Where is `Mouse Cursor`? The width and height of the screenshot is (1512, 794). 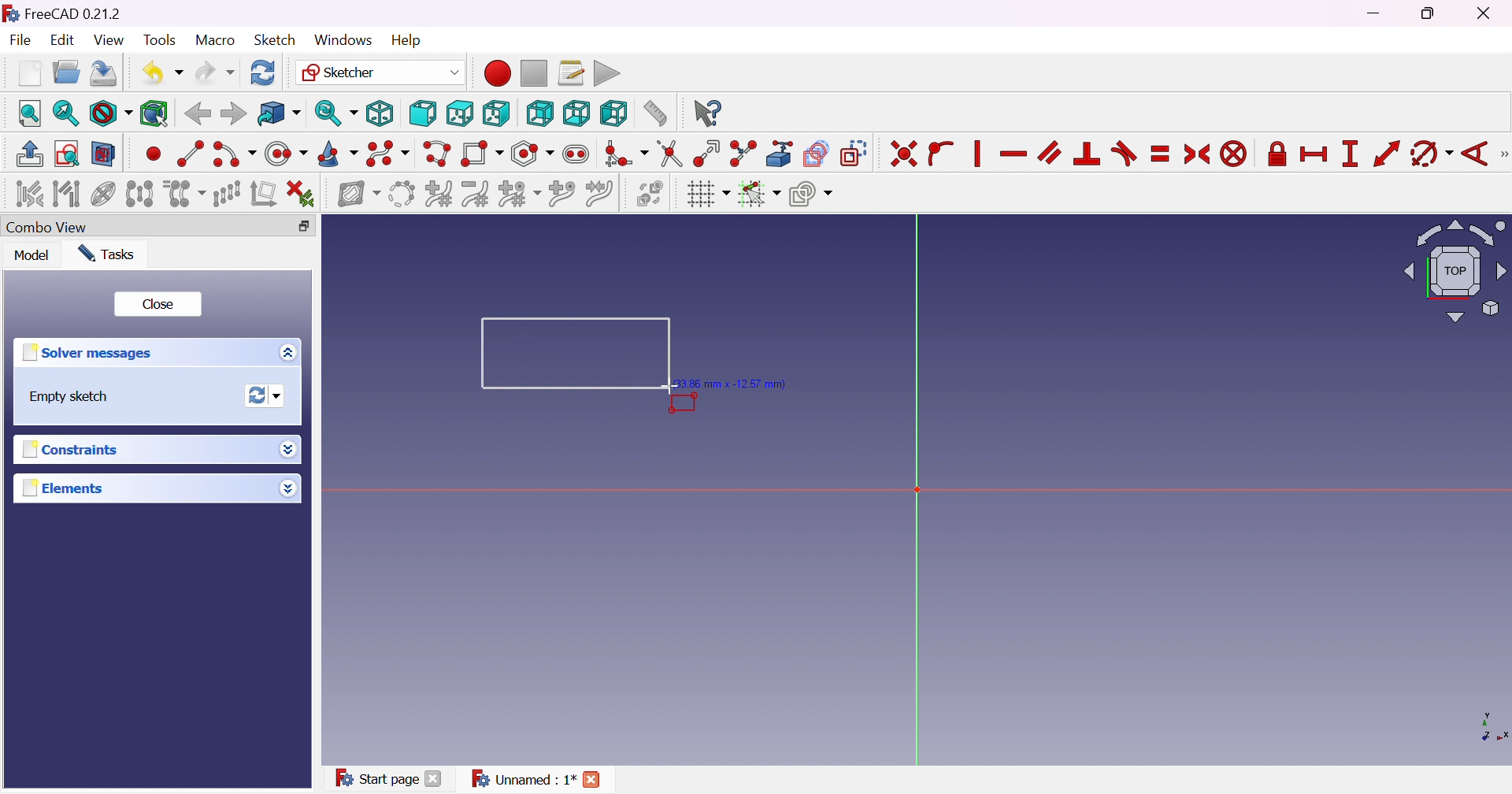
Mouse Cursor is located at coordinates (669, 389).